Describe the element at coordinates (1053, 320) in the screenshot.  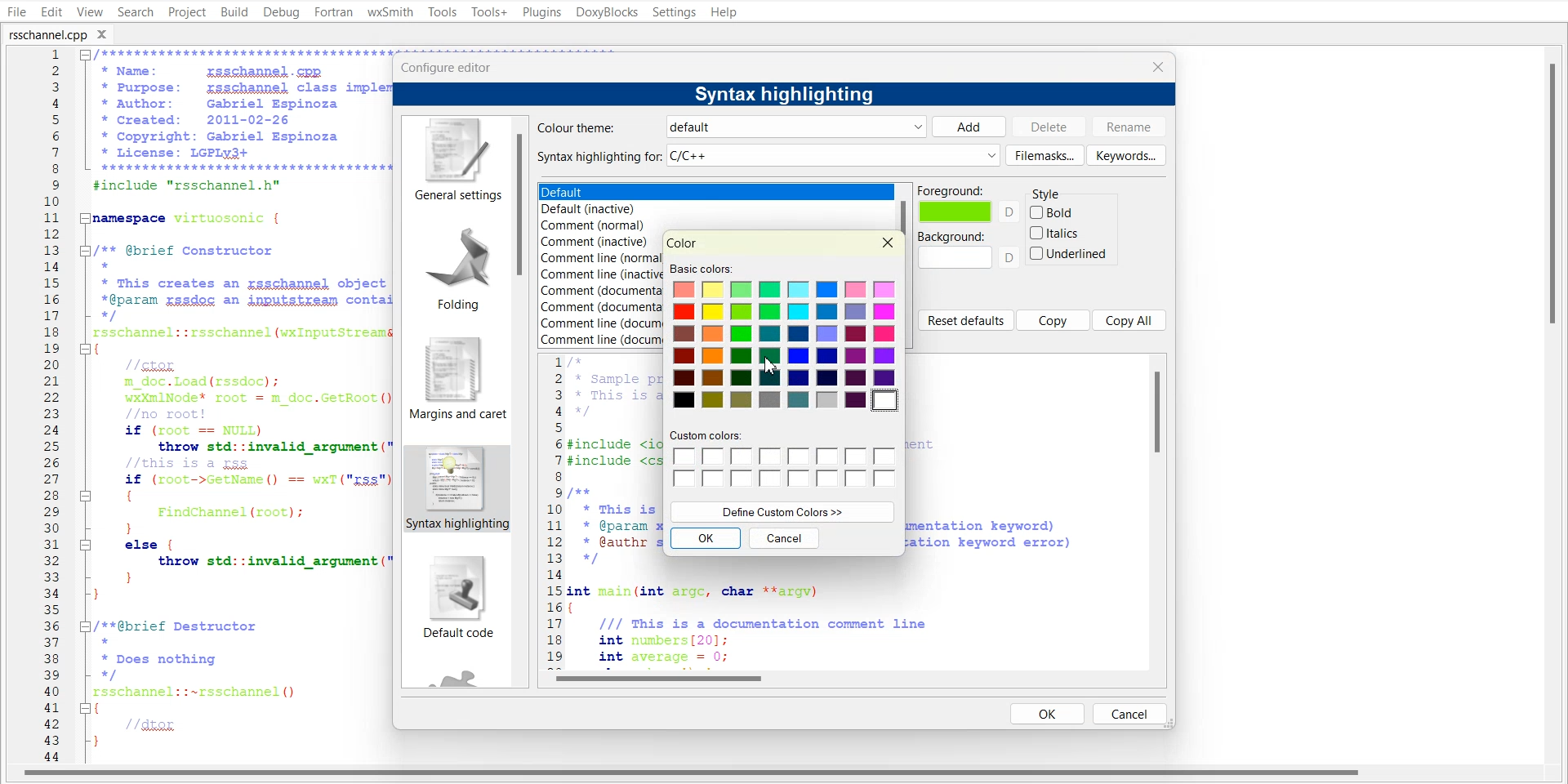
I see `Copy` at that location.